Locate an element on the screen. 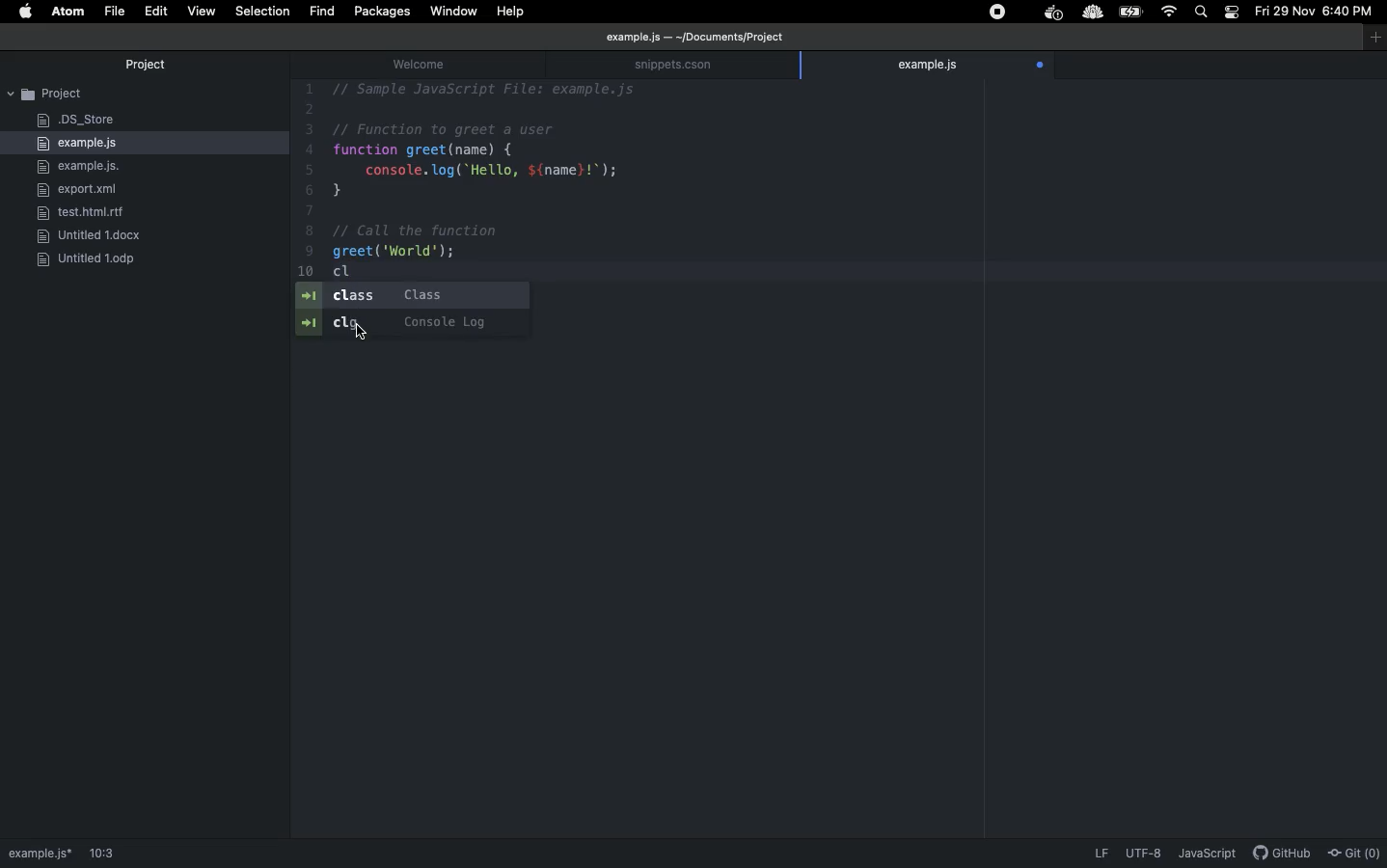 The width and height of the screenshot is (1387, 868). file path is located at coordinates (698, 38).